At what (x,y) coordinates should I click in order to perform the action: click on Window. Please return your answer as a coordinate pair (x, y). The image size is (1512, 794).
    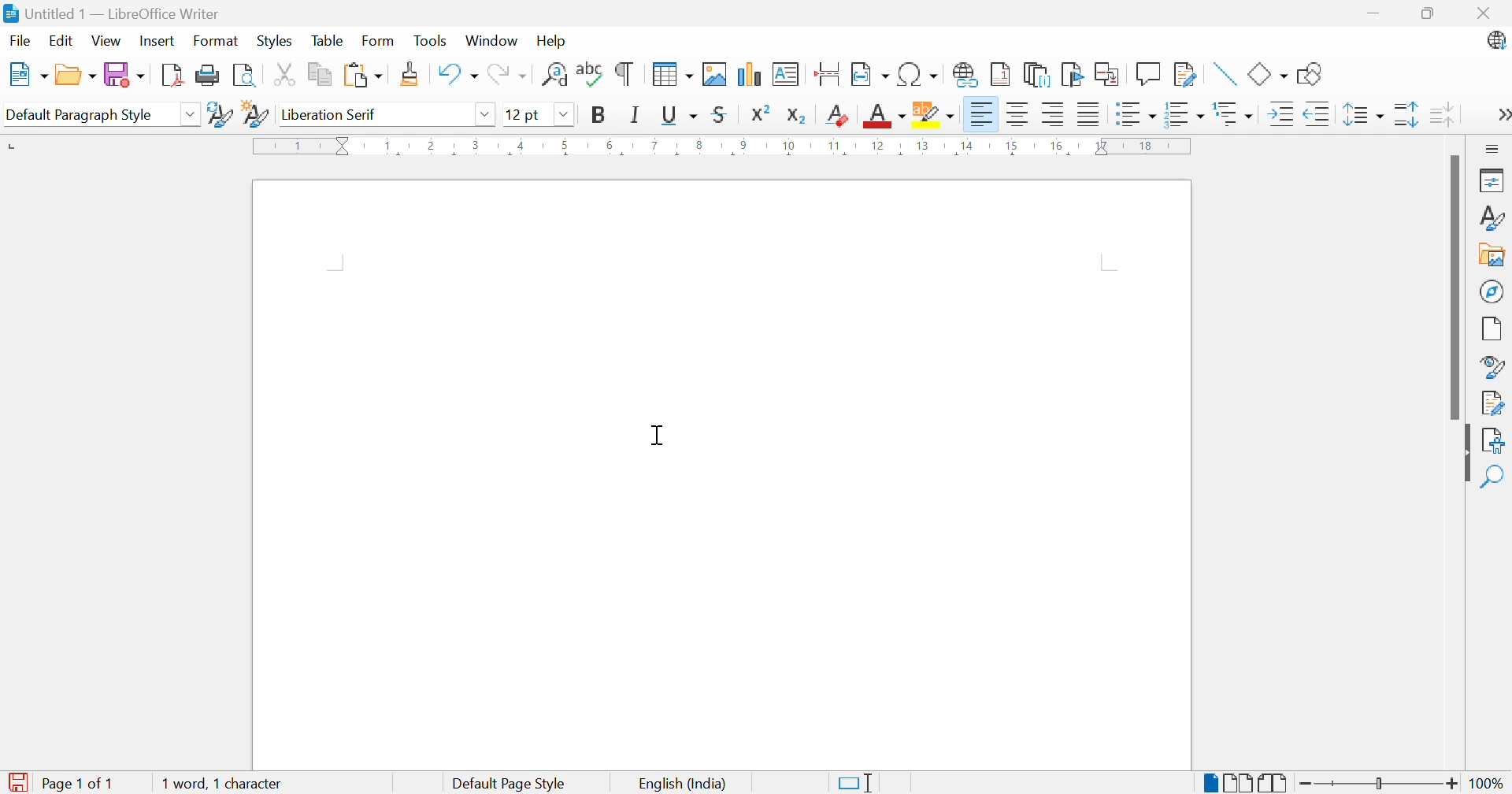
    Looking at the image, I should click on (492, 41).